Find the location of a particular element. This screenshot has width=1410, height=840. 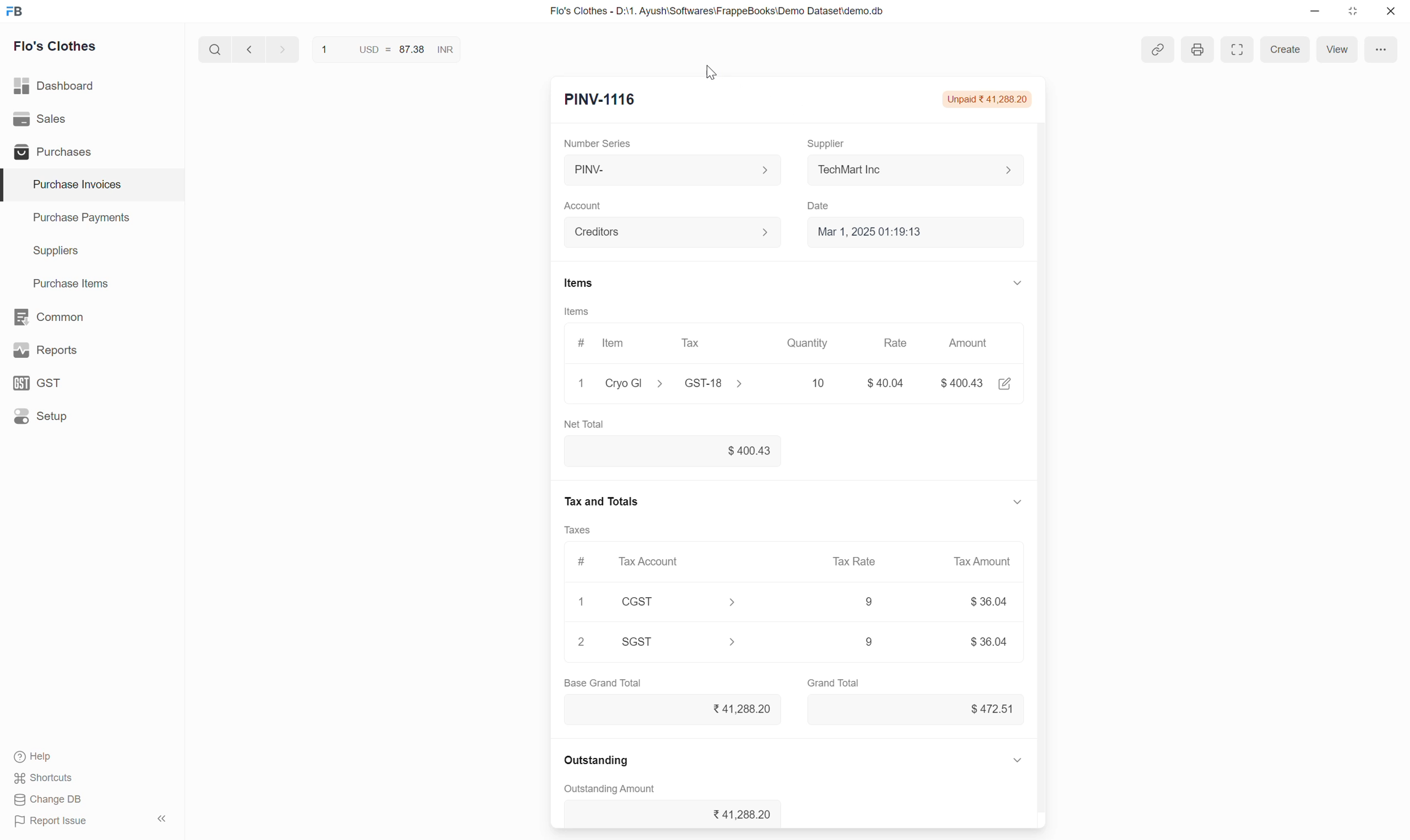

Flo's Clothes is located at coordinates (57, 48).